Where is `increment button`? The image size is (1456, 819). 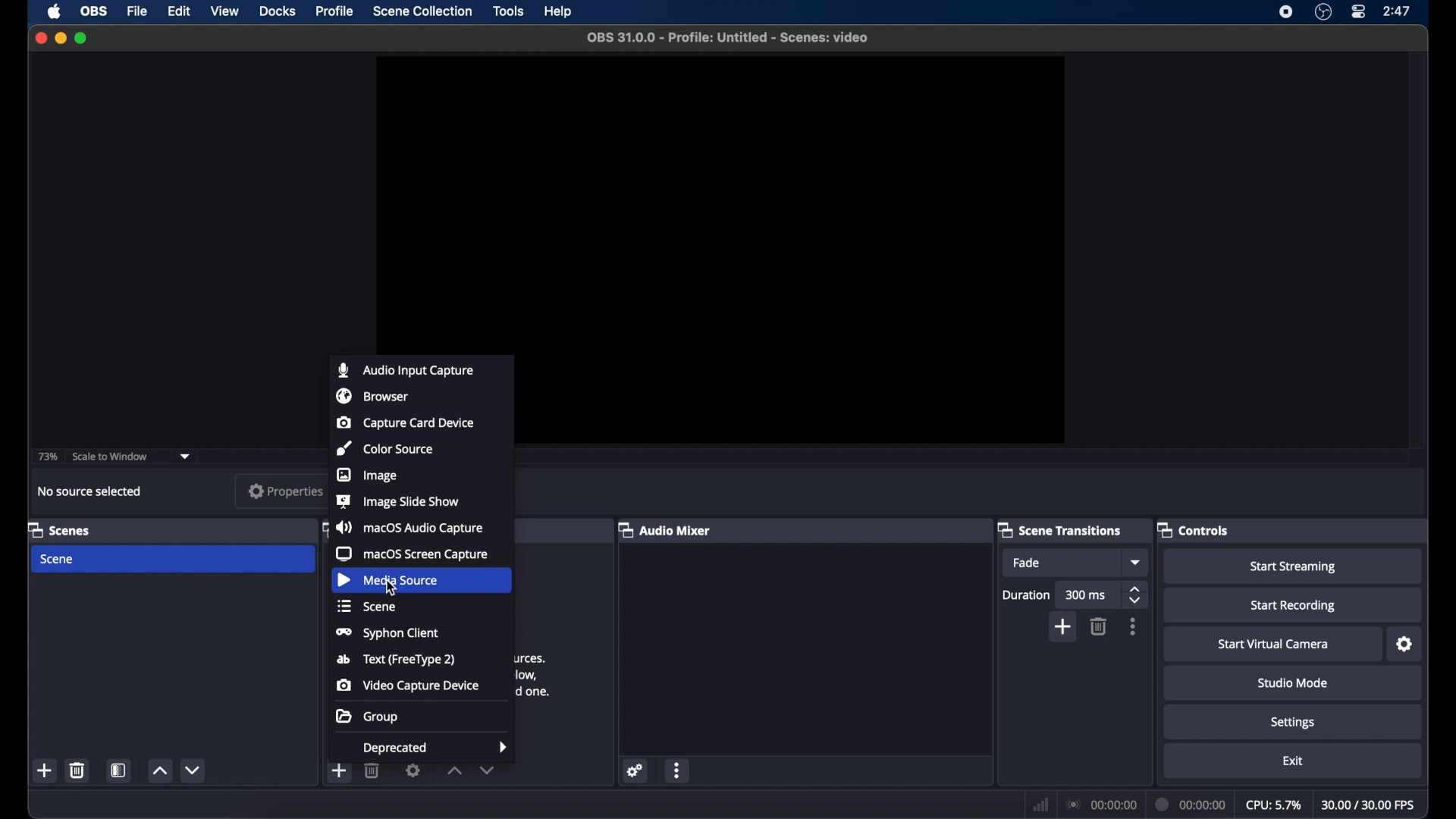 increment button is located at coordinates (159, 770).